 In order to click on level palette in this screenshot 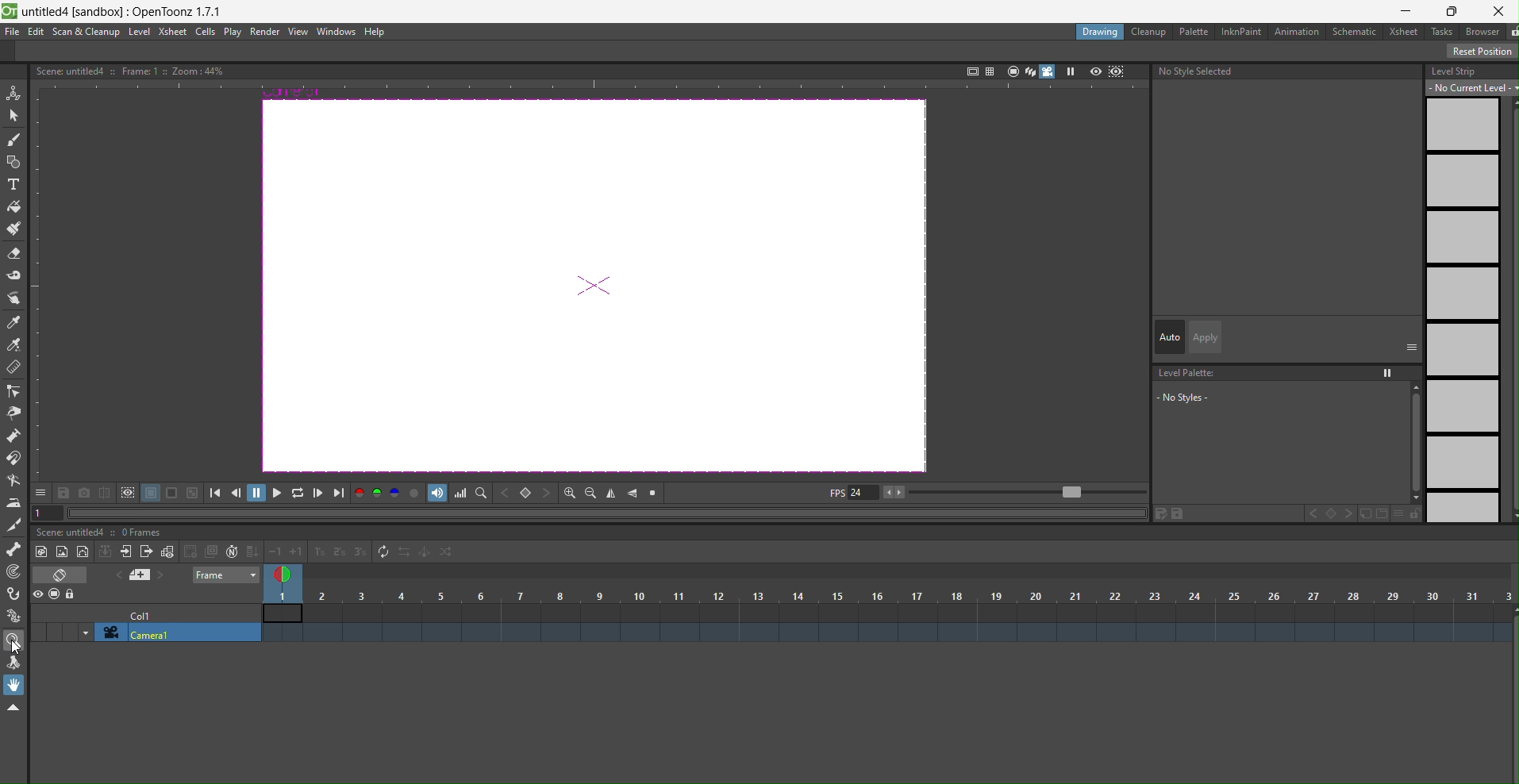, I will do `click(1286, 402)`.